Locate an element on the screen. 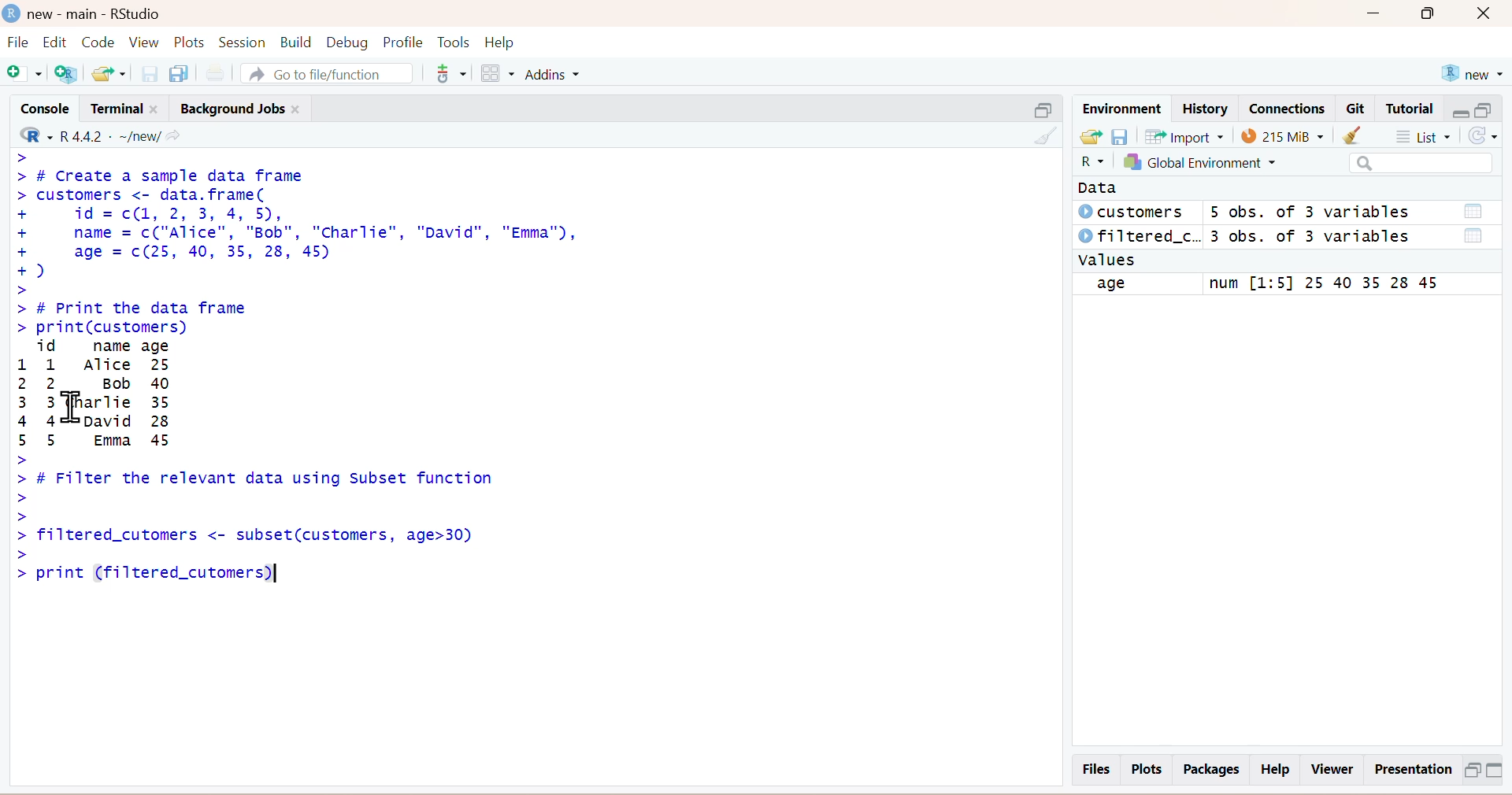 The height and width of the screenshot is (795, 1512). save all is located at coordinates (179, 72).